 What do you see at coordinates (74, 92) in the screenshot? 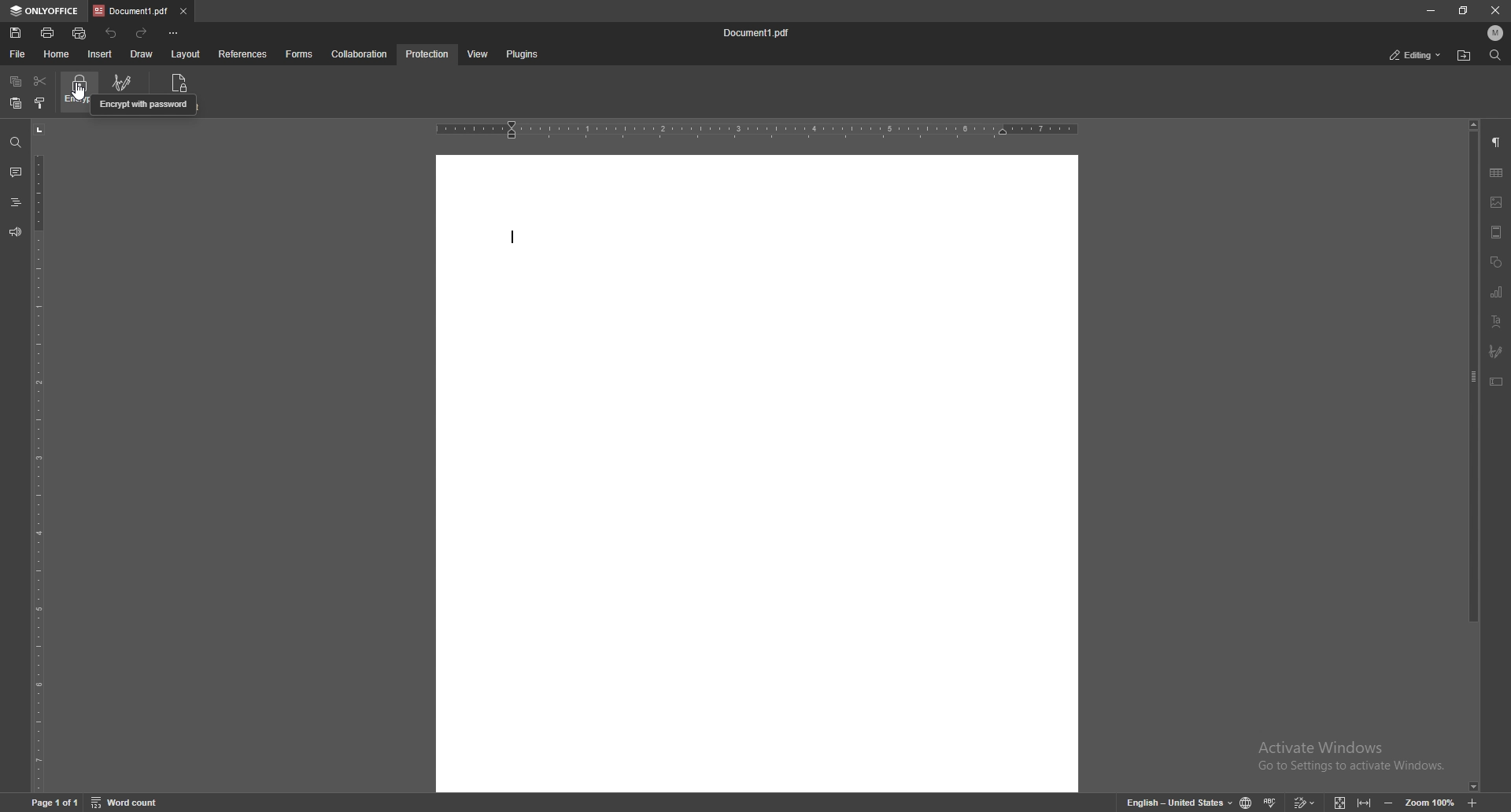
I see `encrypt` at bounding box center [74, 92].